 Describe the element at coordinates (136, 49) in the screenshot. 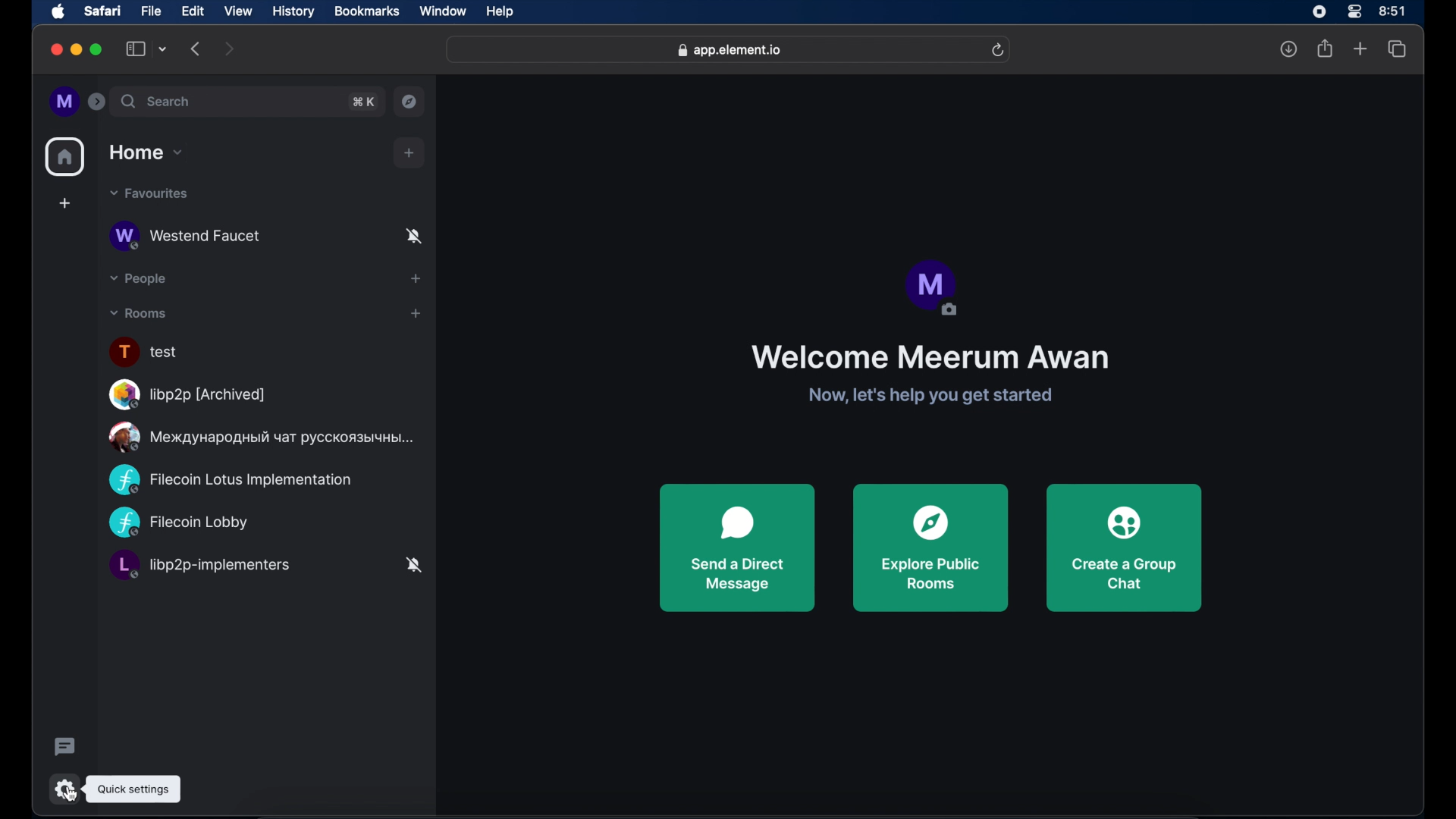

I see `show sidebar` at that location.